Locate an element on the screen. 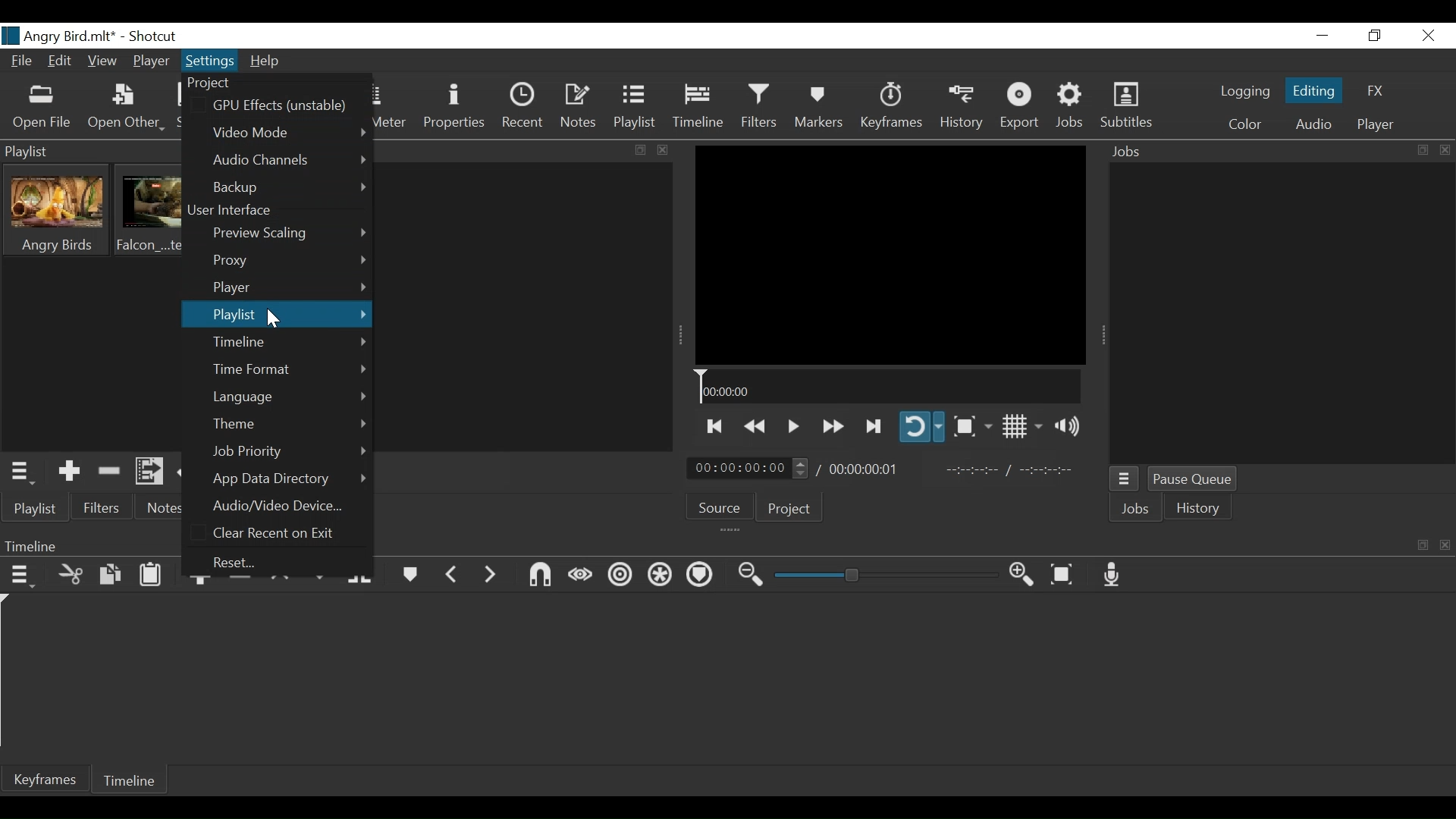 The height and width of the screenshot is (819, 1456). Pause Queue is located at coordinates (1194, 481).